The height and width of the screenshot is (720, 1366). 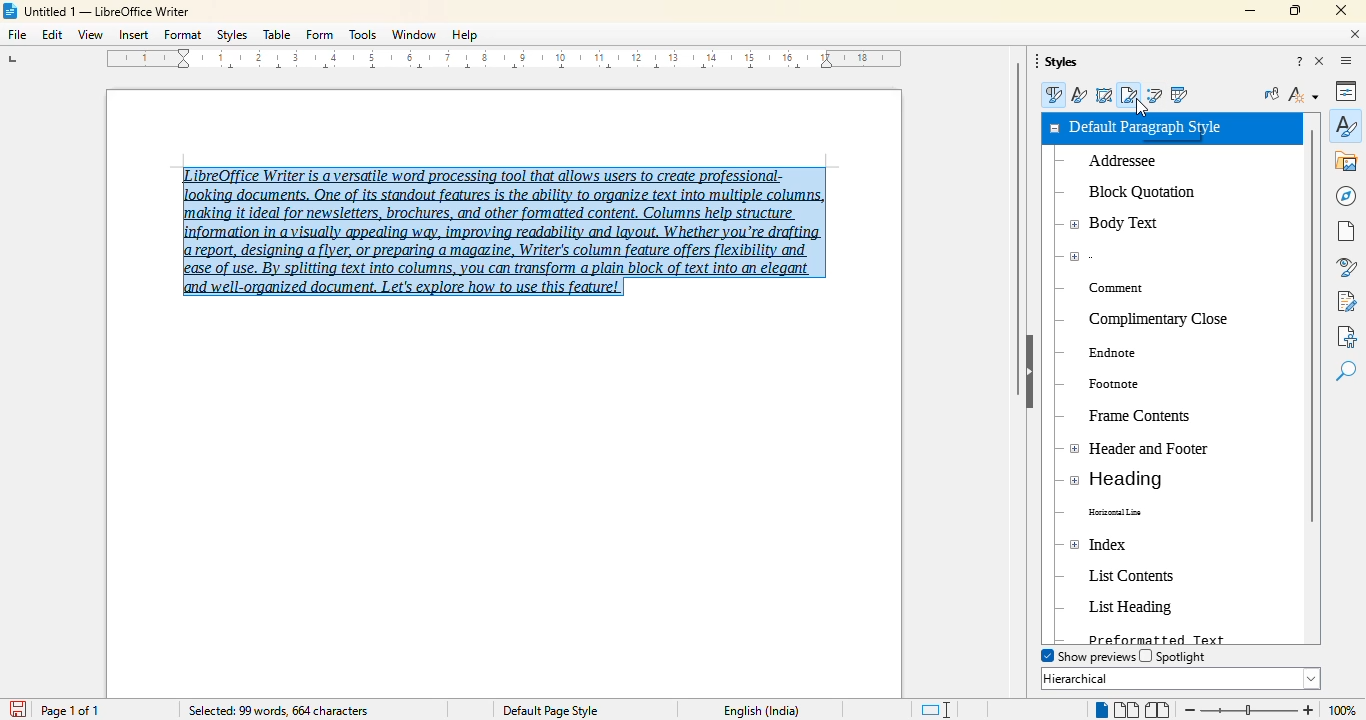 I want to click on Default Paragraph Style, so click(x=1152, y=129).